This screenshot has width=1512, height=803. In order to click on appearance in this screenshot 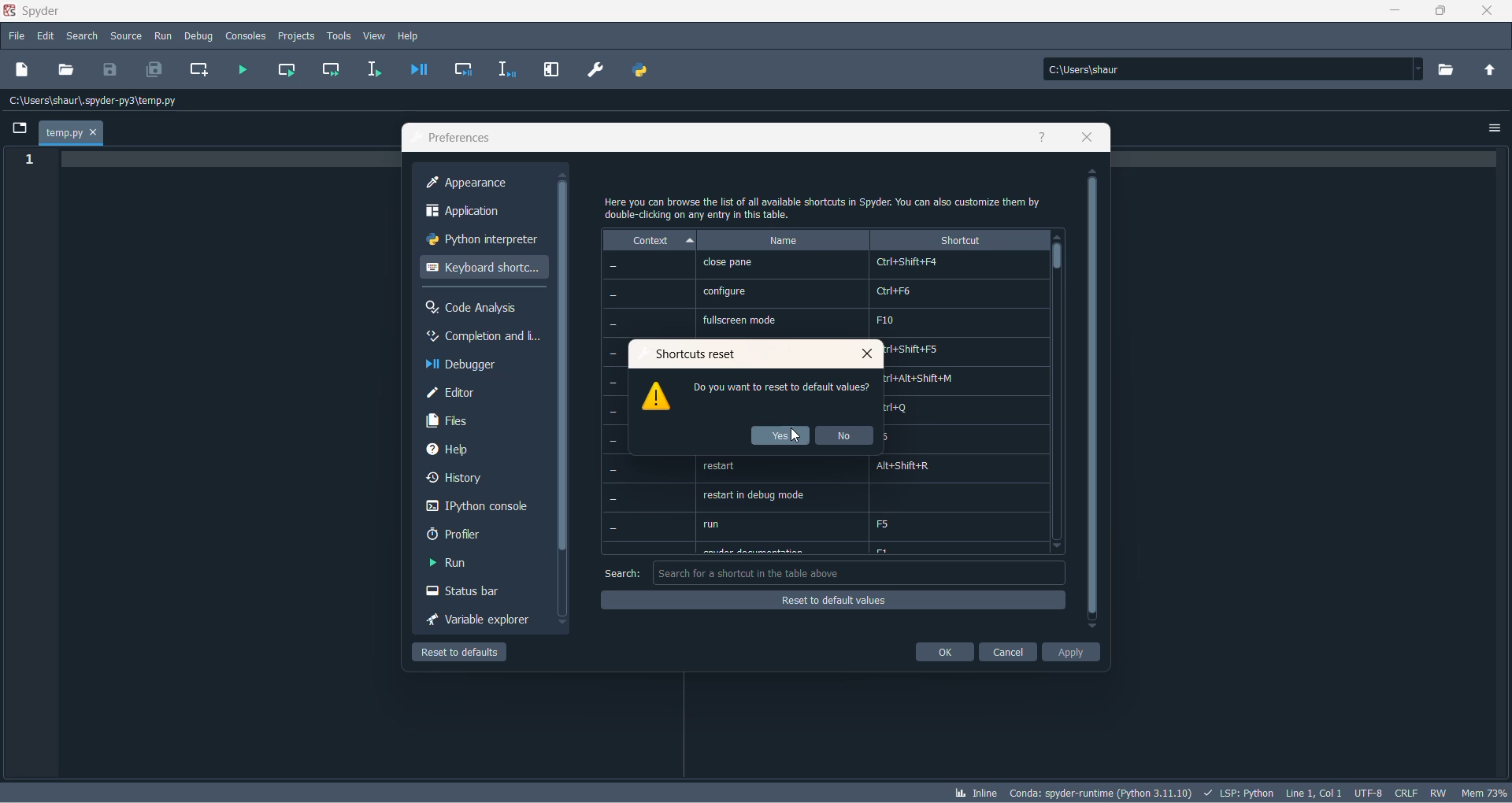, I will do `click(485, 183)`.